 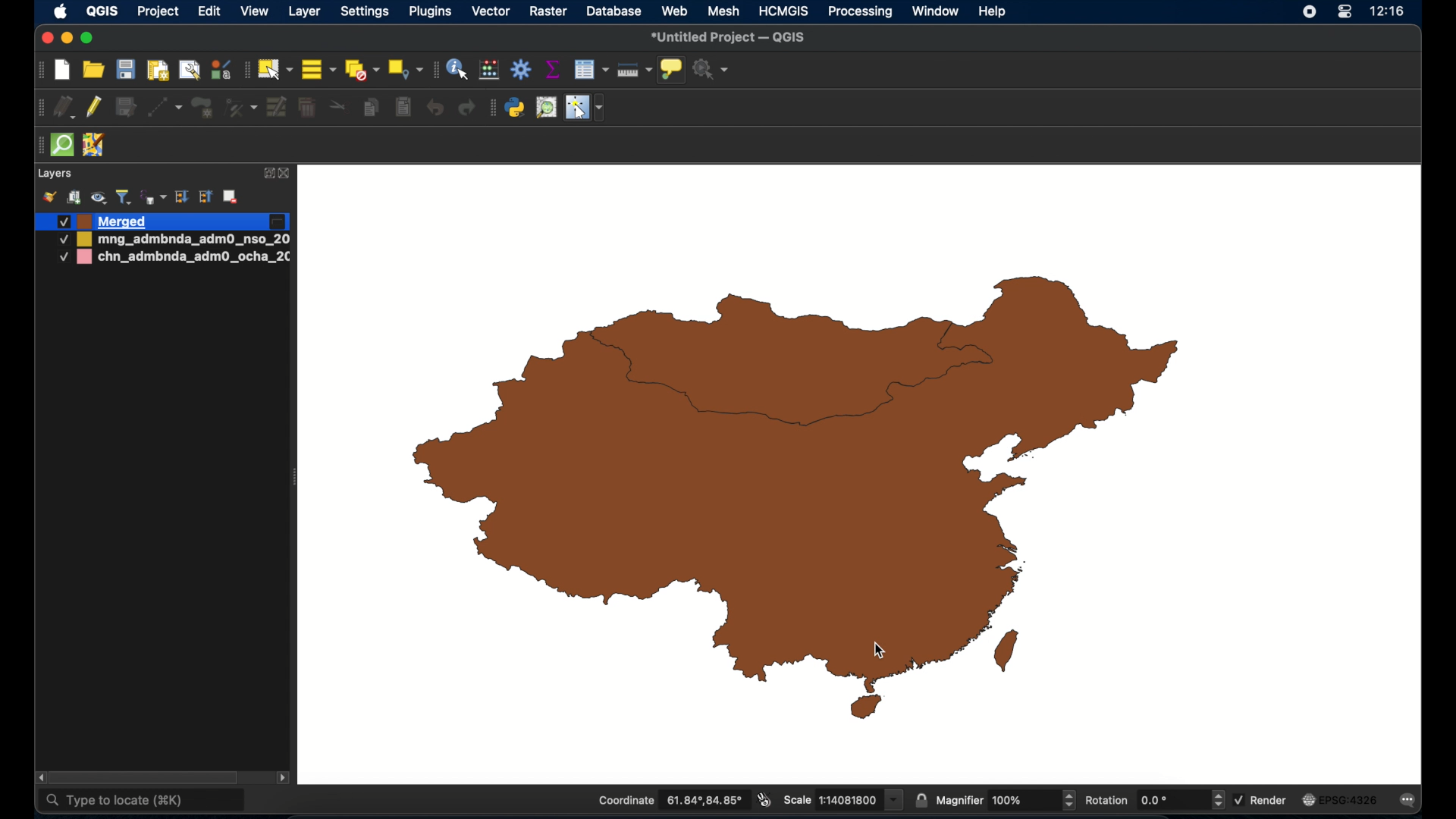 I want to click on layer, so click(x=306, y=11).